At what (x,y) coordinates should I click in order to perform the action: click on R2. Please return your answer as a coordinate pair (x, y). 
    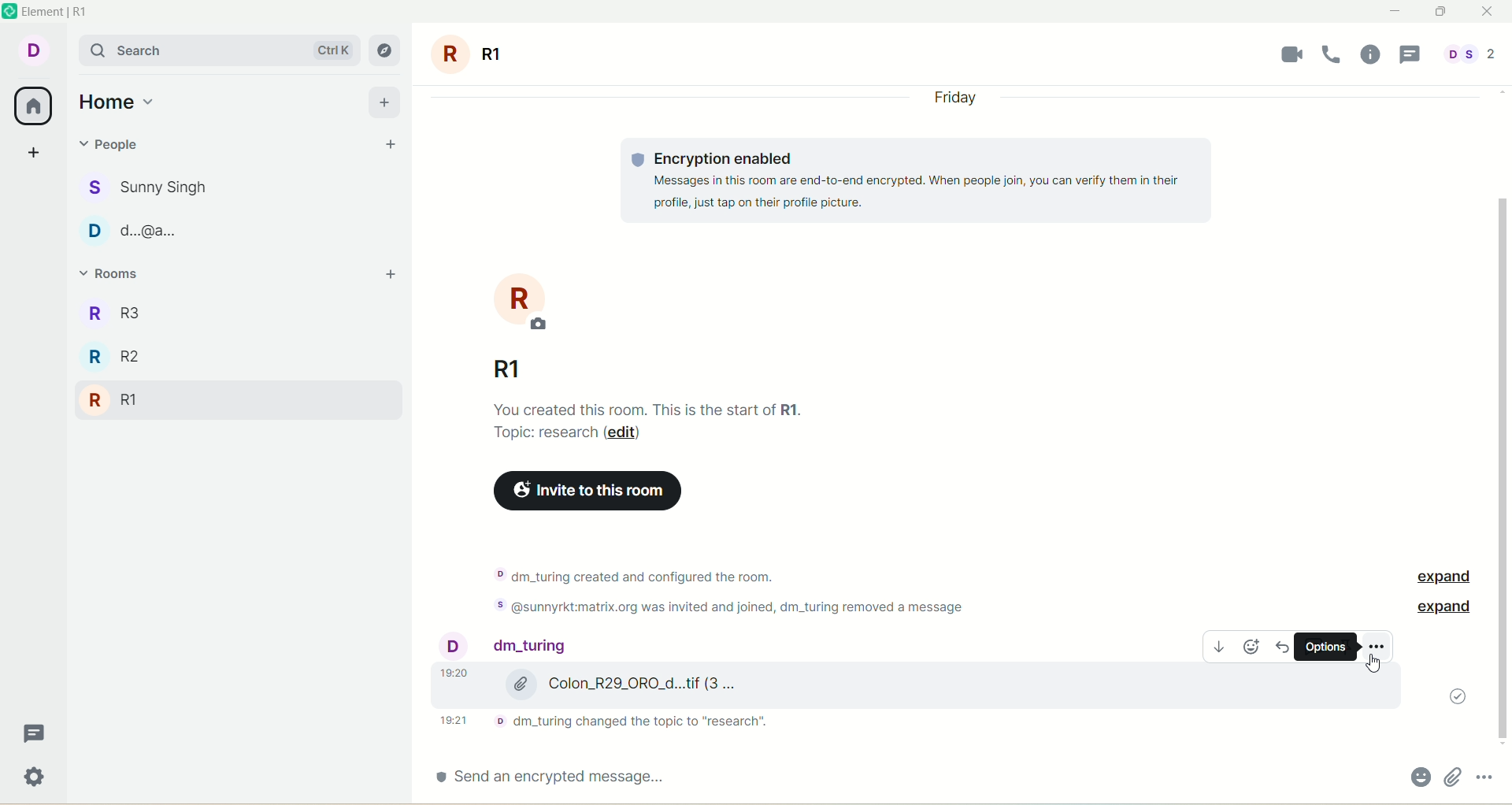
    Looking at the image, I should click on (125, 360).